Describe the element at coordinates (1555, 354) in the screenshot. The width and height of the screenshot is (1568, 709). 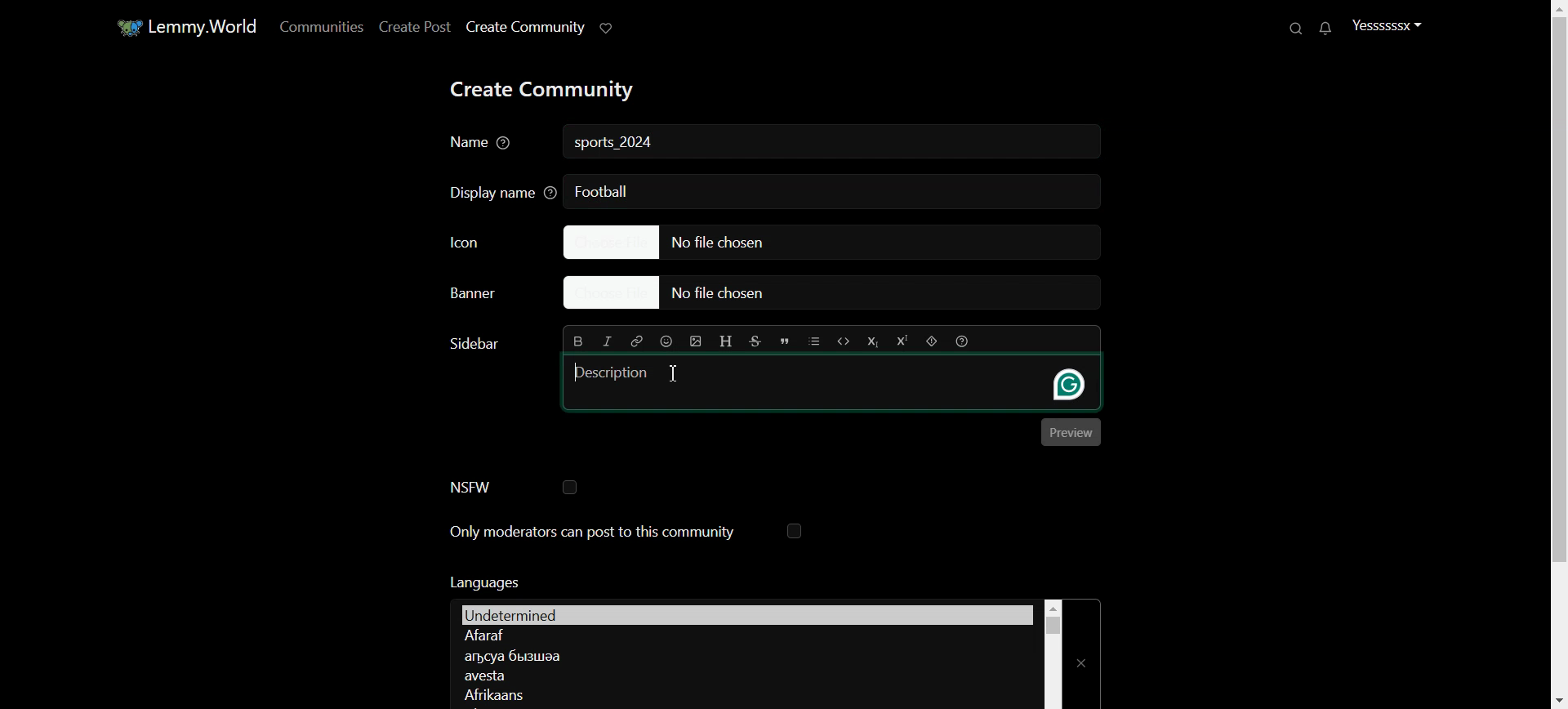
I see `Vertical Scroll bar` at that location.